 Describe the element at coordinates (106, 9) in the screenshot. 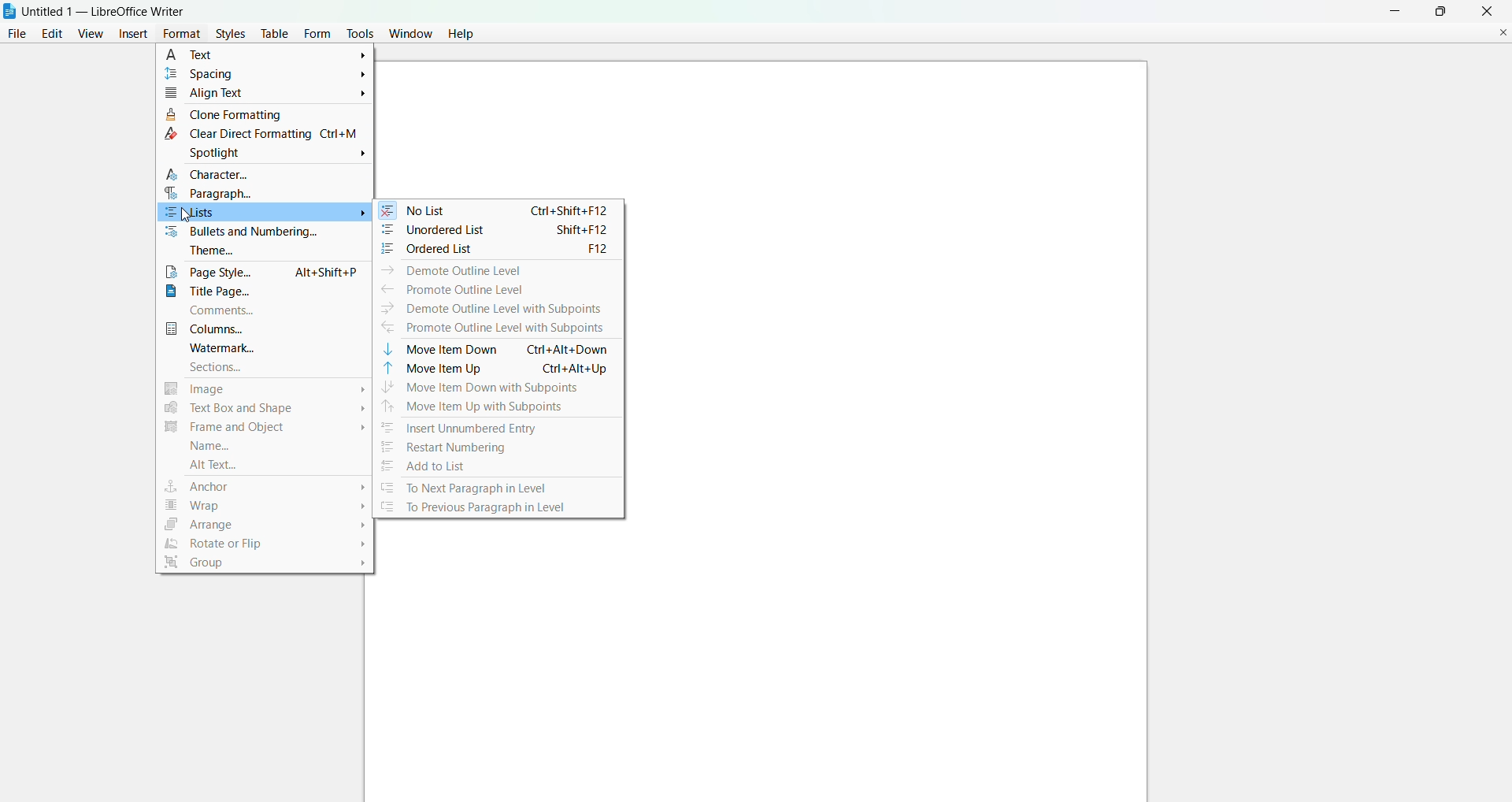

I see `Untitled 1 - LibreOffice Writer` at that location.